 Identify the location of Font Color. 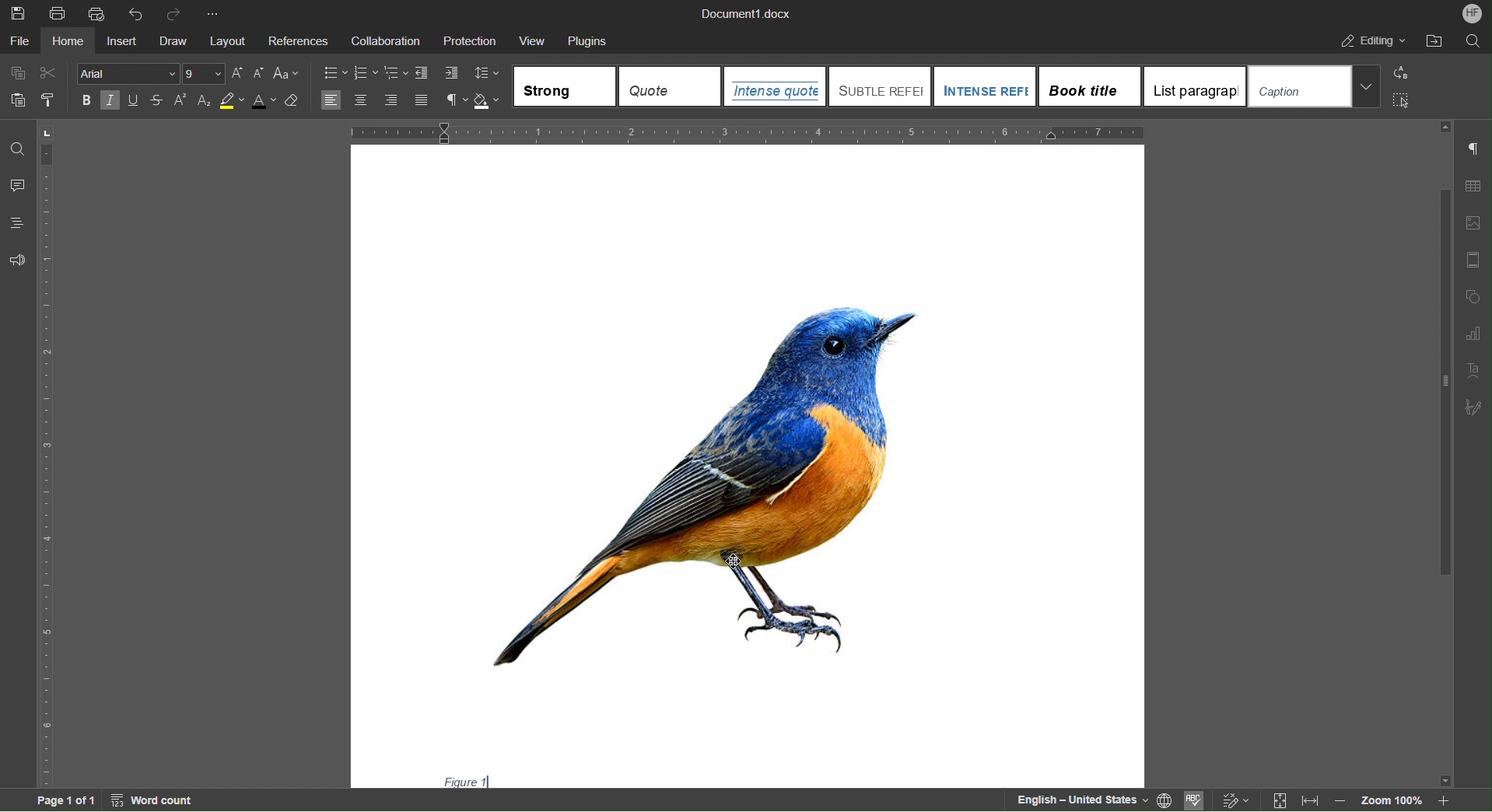
(264, 102).